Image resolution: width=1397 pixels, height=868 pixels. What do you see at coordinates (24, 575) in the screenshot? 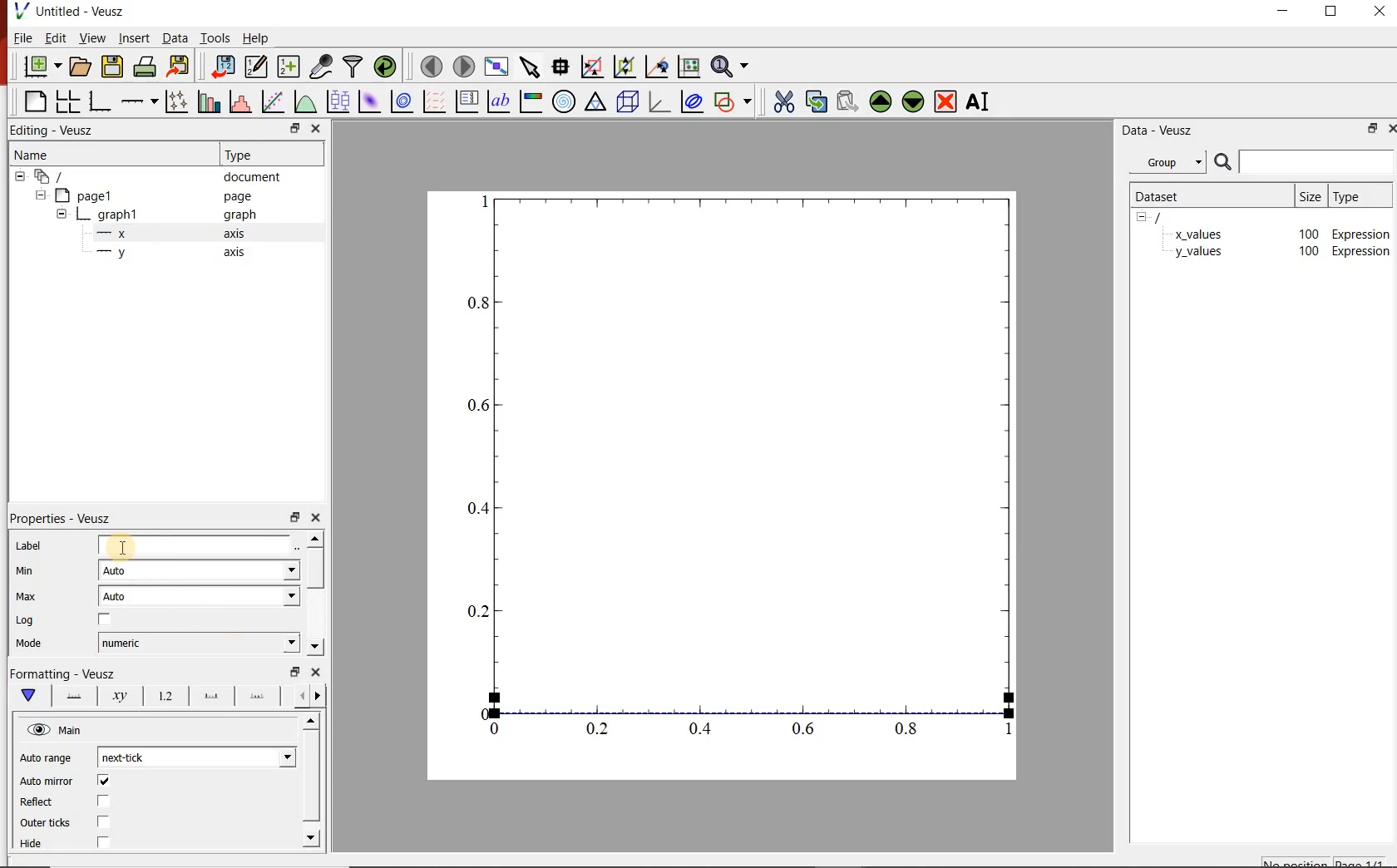
I see `min` at bounding box center [24, 575].